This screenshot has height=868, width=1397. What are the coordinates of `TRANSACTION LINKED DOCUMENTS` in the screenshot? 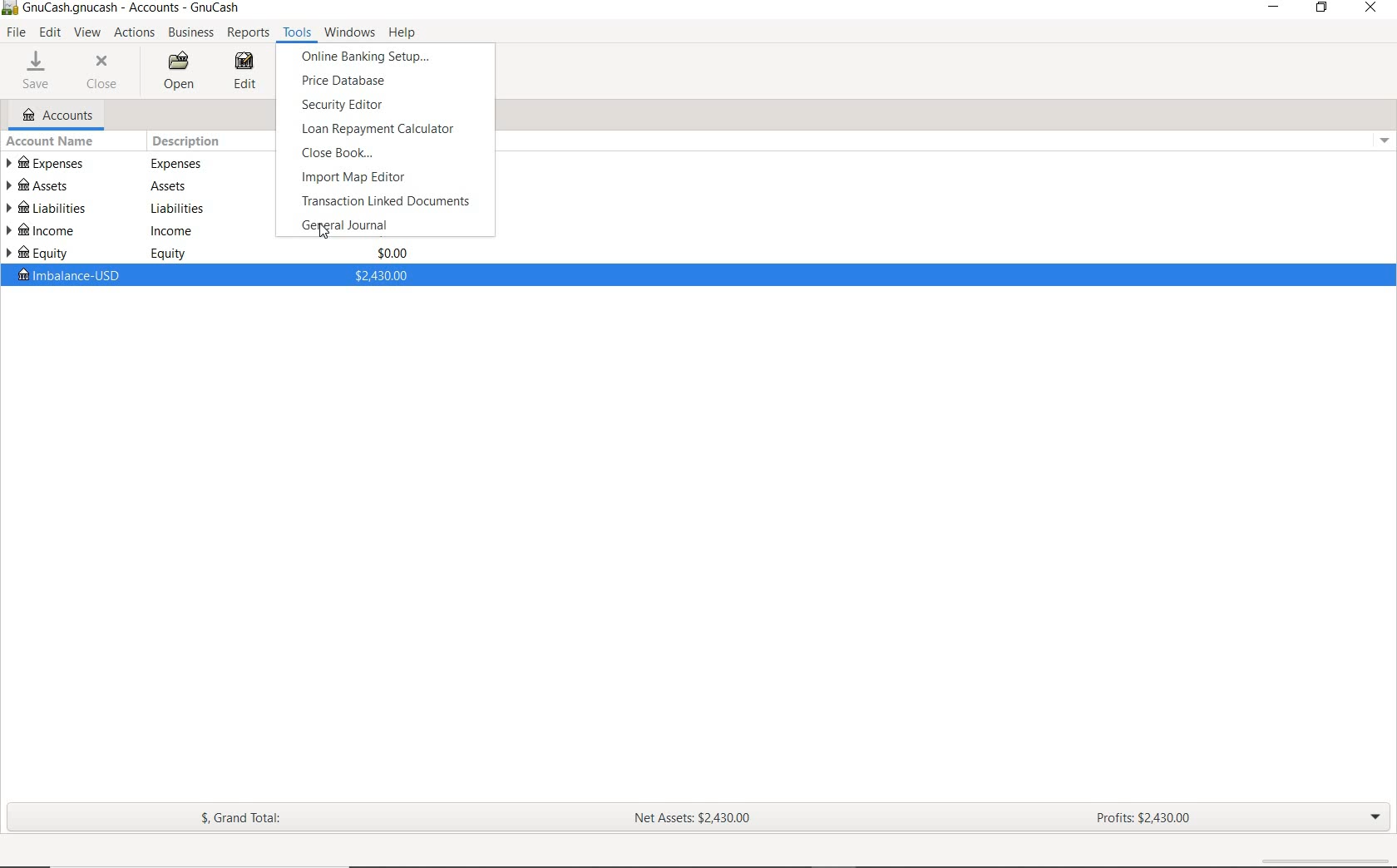 It's located at (388, 201).